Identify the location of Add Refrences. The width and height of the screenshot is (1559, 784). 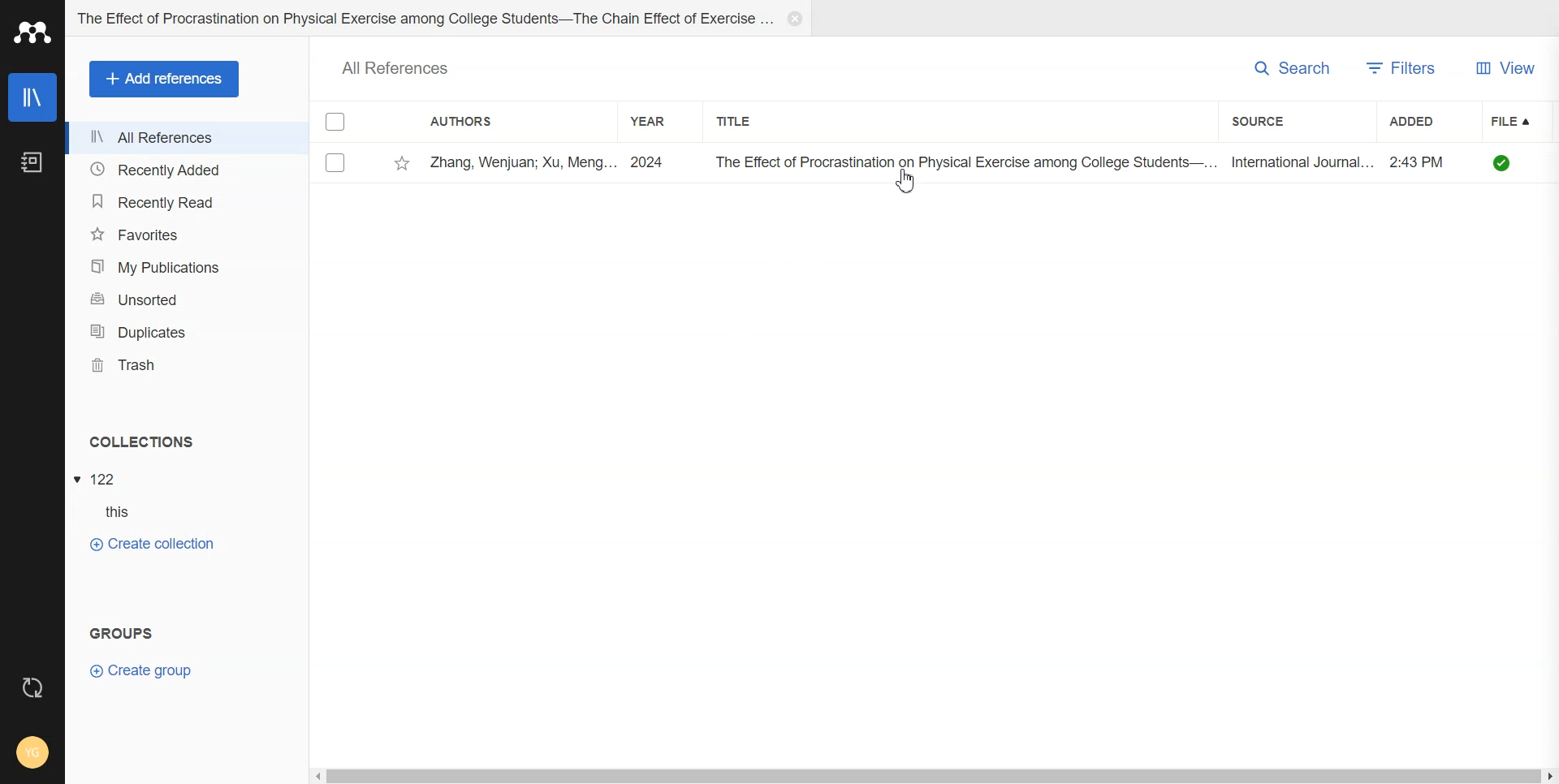
(164, 79).